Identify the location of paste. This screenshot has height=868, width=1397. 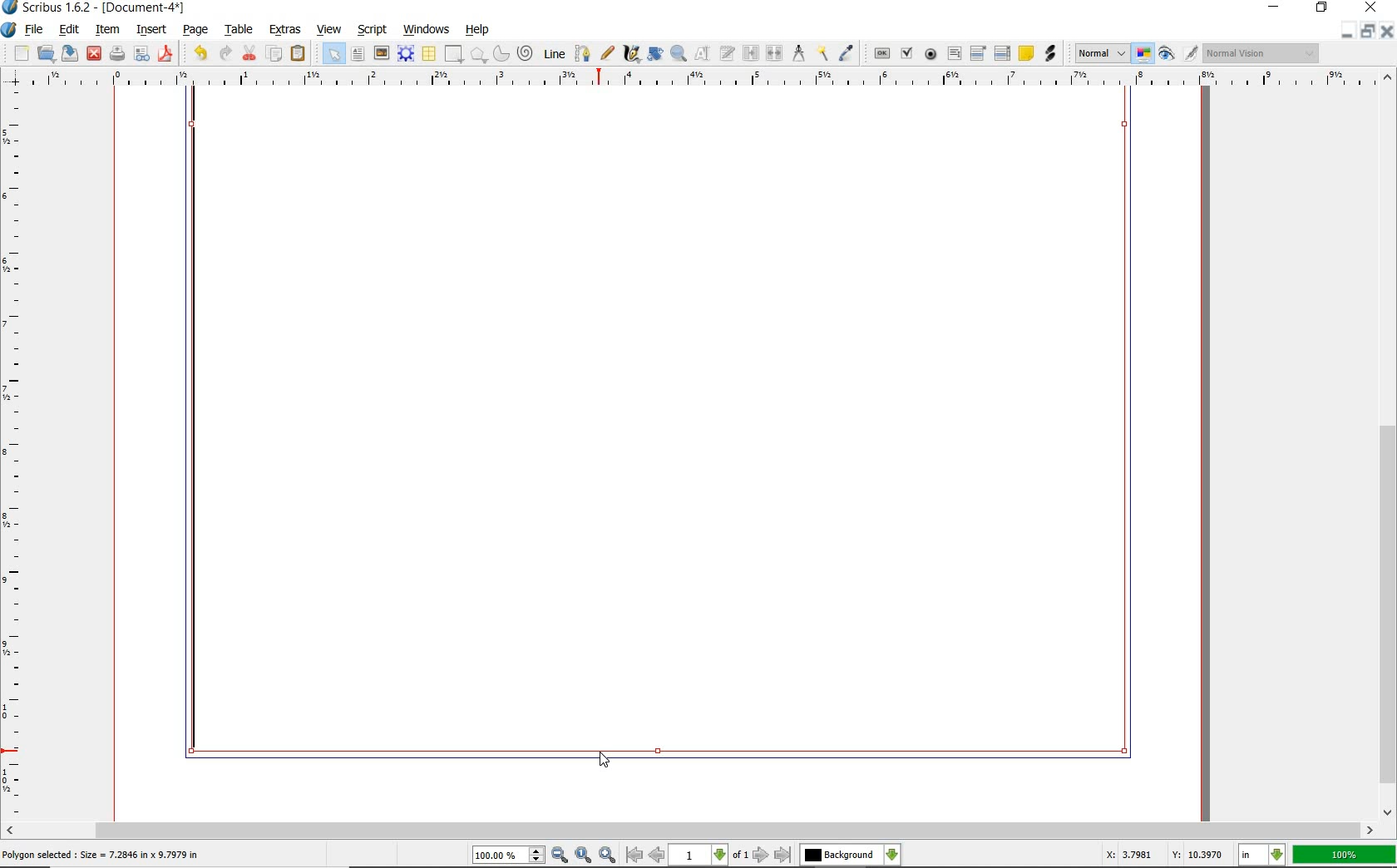
(298, 54).